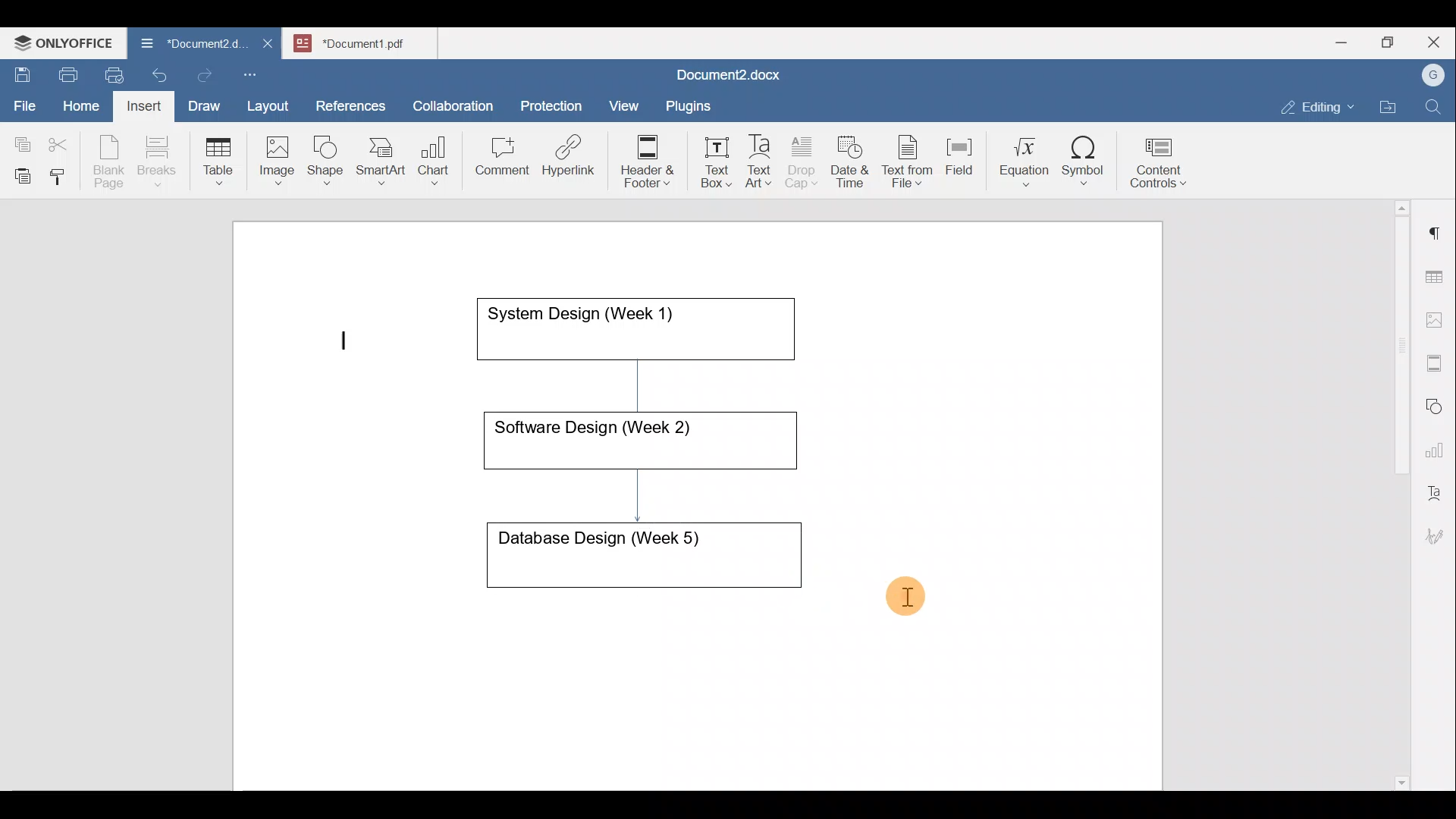 This screenshot has width=1456, height=819. What do you see at coordinates (1341, 41) in the screenshot?
I see `Minimize` at bounding box center [1341, 41].